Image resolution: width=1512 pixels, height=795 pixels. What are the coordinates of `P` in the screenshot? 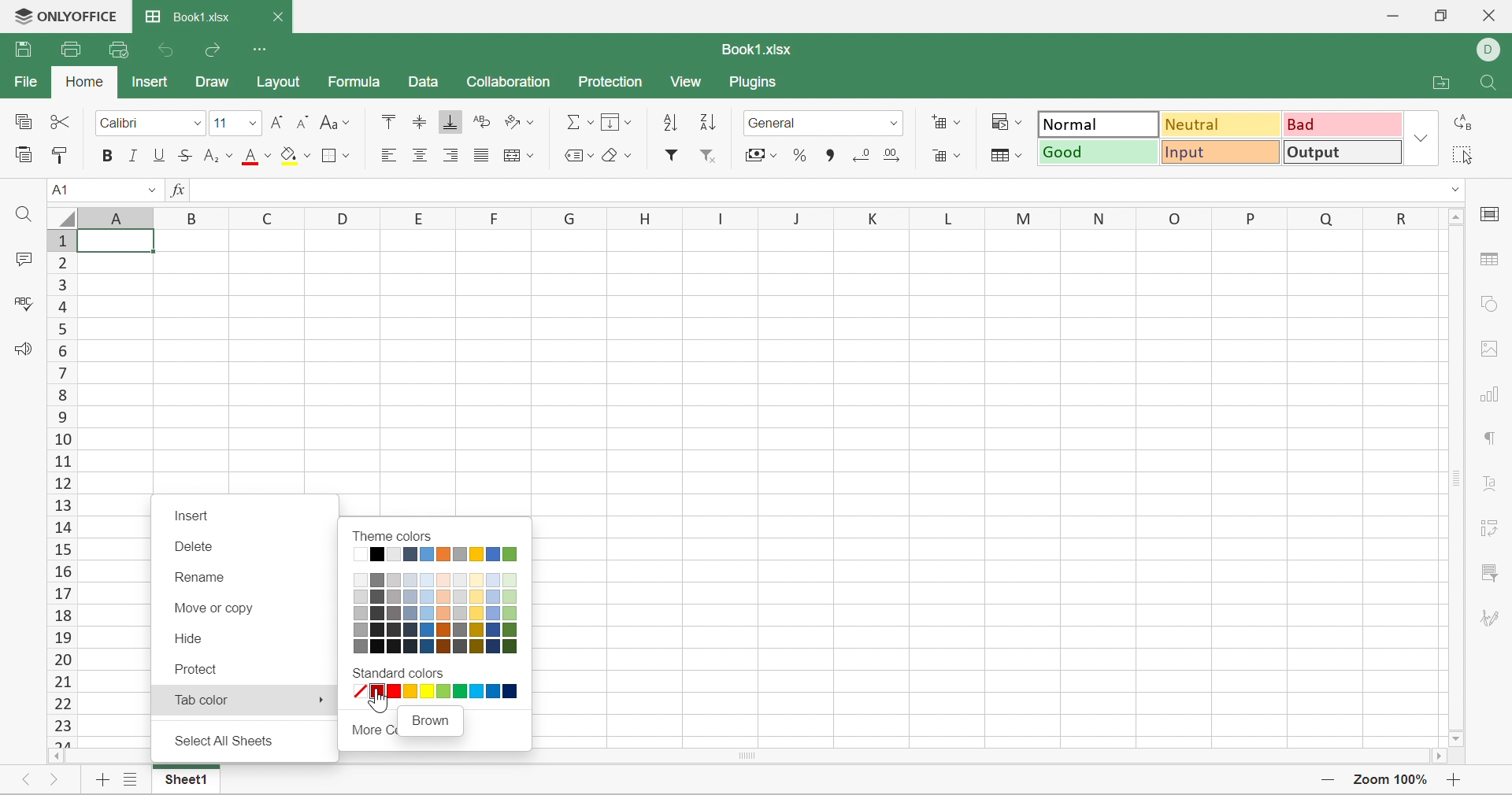 It's located at (1254, 216).